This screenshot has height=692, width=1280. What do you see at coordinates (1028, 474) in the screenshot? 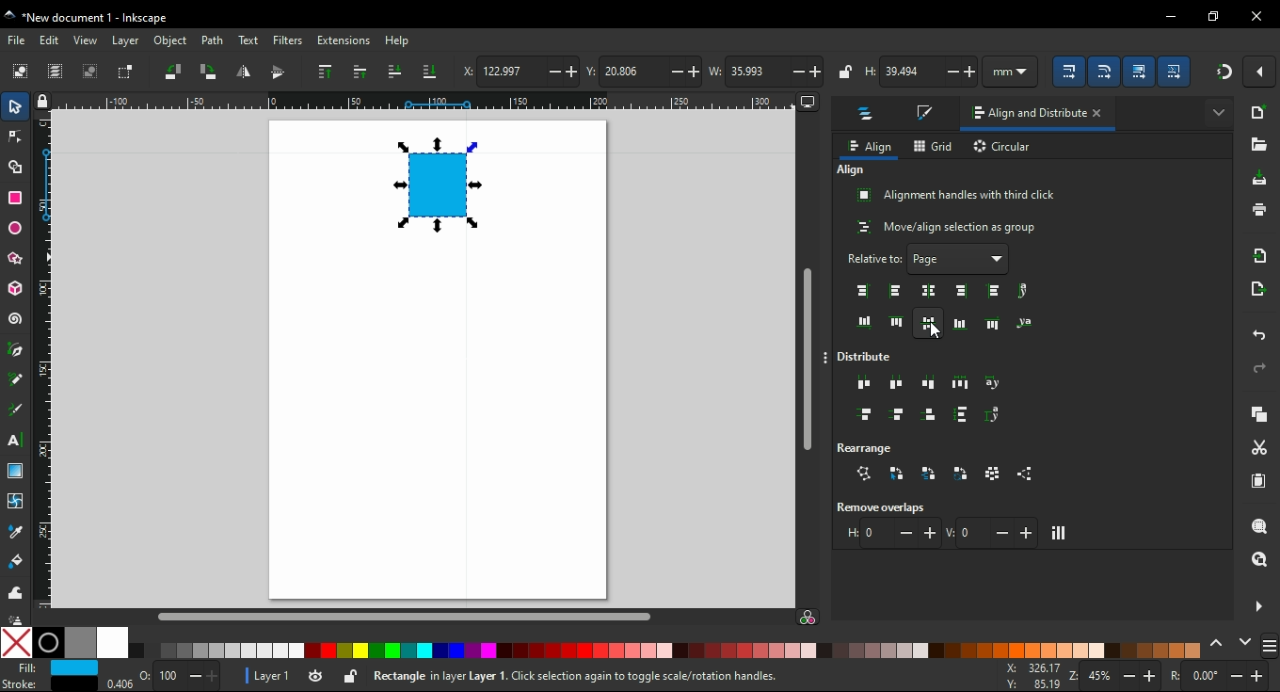
I see `unclump objects` at bounding box center [1028, 474].